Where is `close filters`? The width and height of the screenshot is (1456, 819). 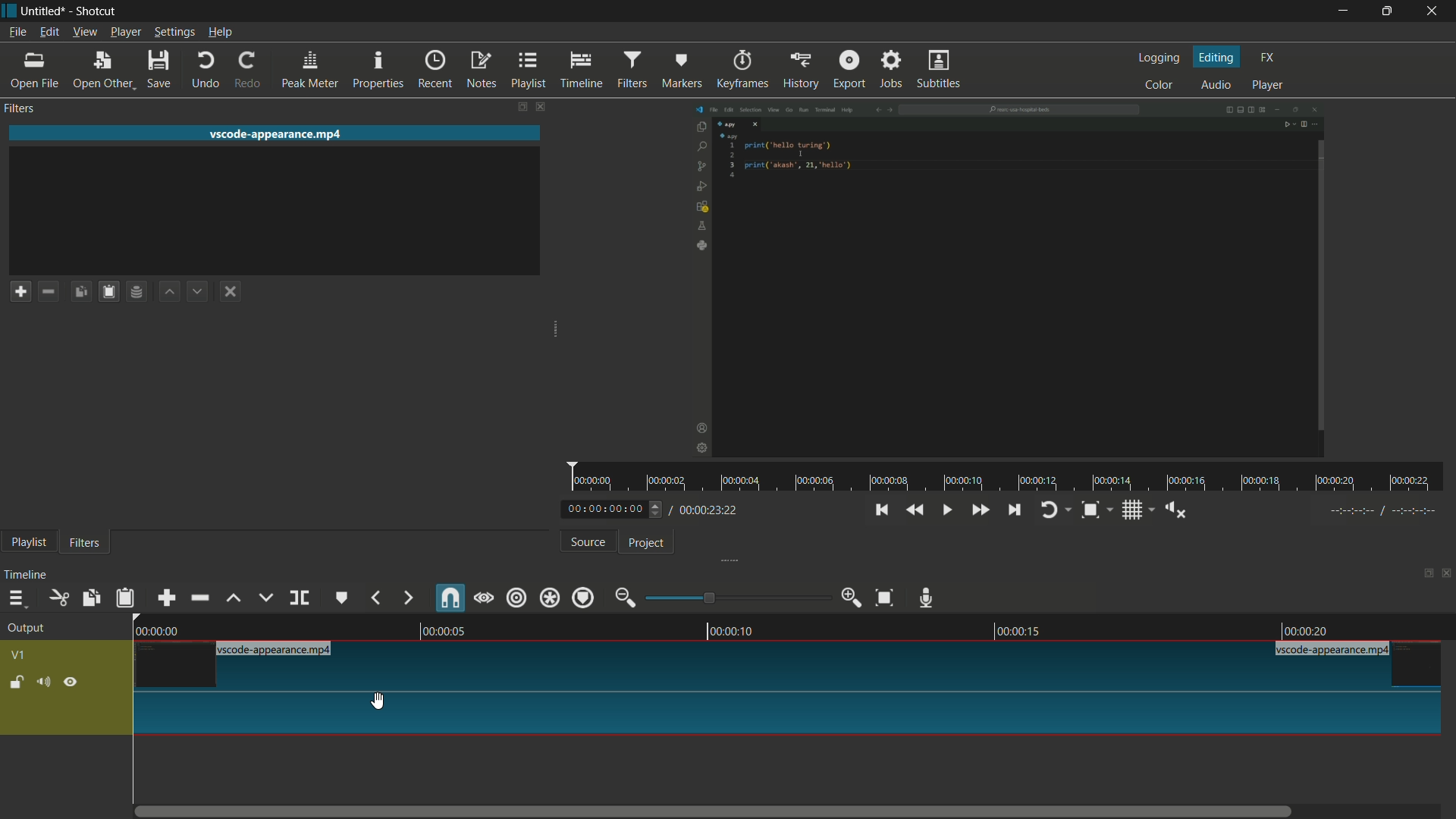
close filters is located at coordinates (539, 107).